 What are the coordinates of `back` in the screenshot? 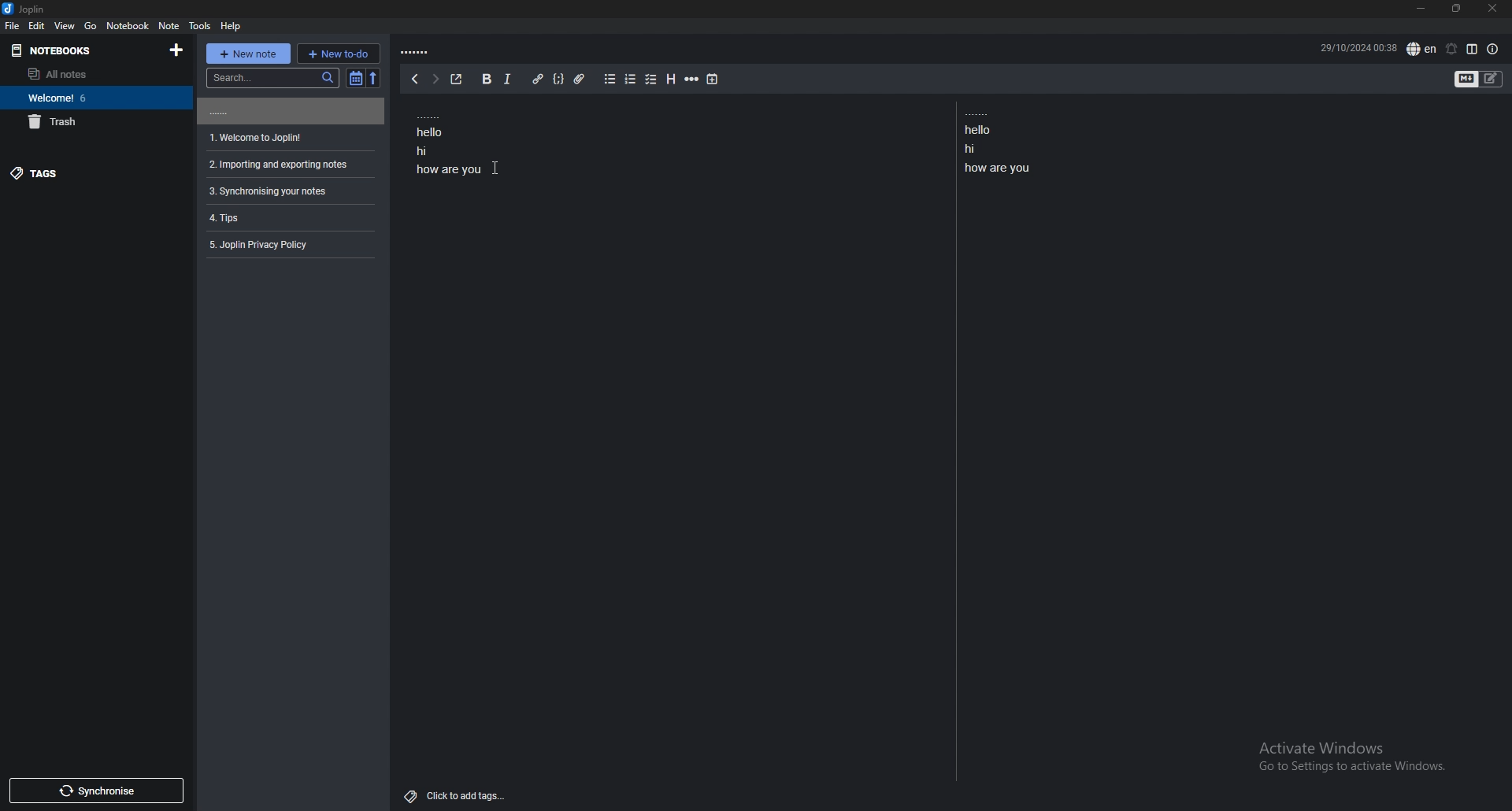 It's located at (415, 79).